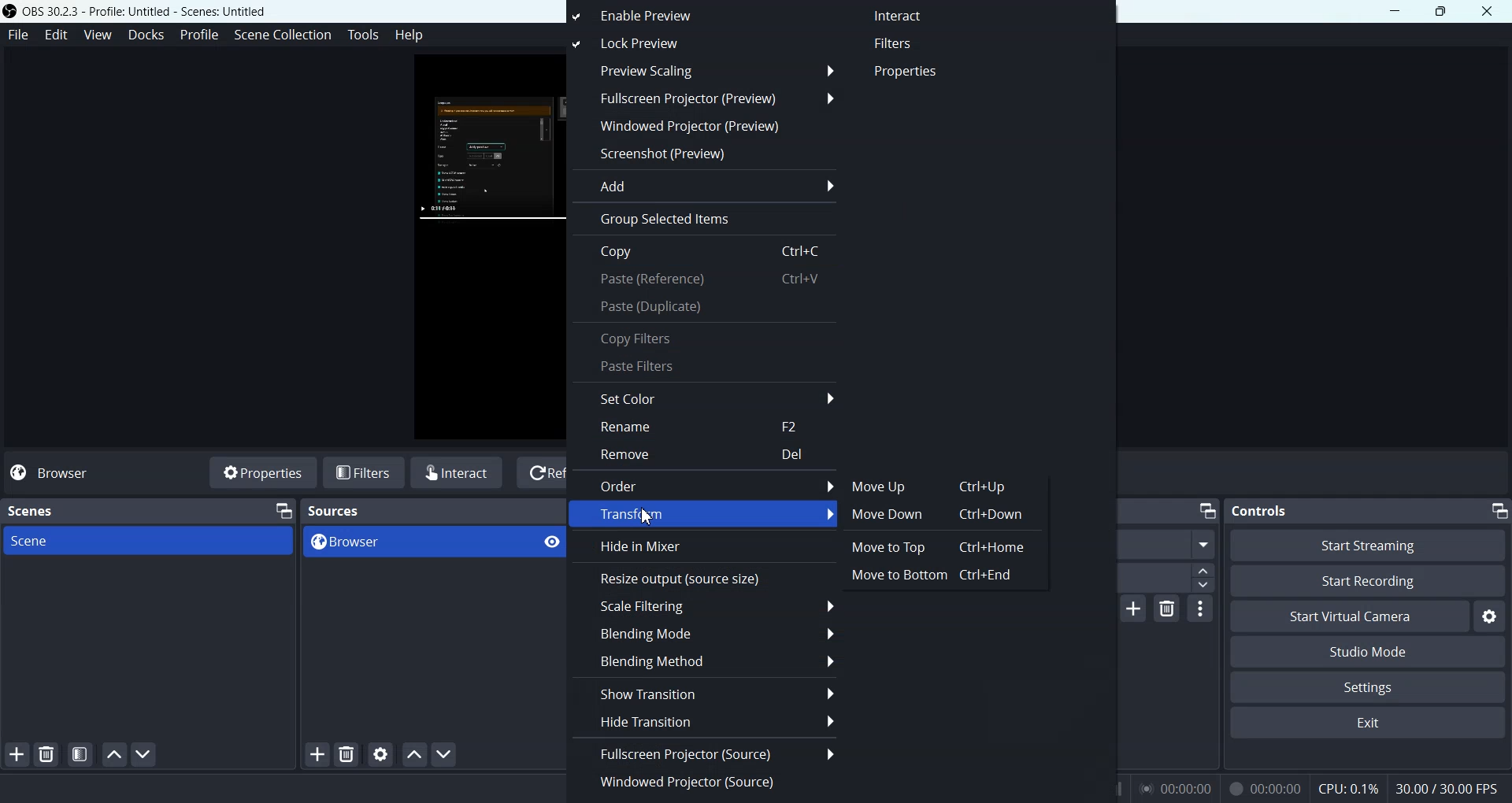 Image resolution: width=1512 pixels, height=803 pixels. What do you see at coordinates (1489, 617) in the screenshot?
I see `Settings` at bounding box center [1489, 617].